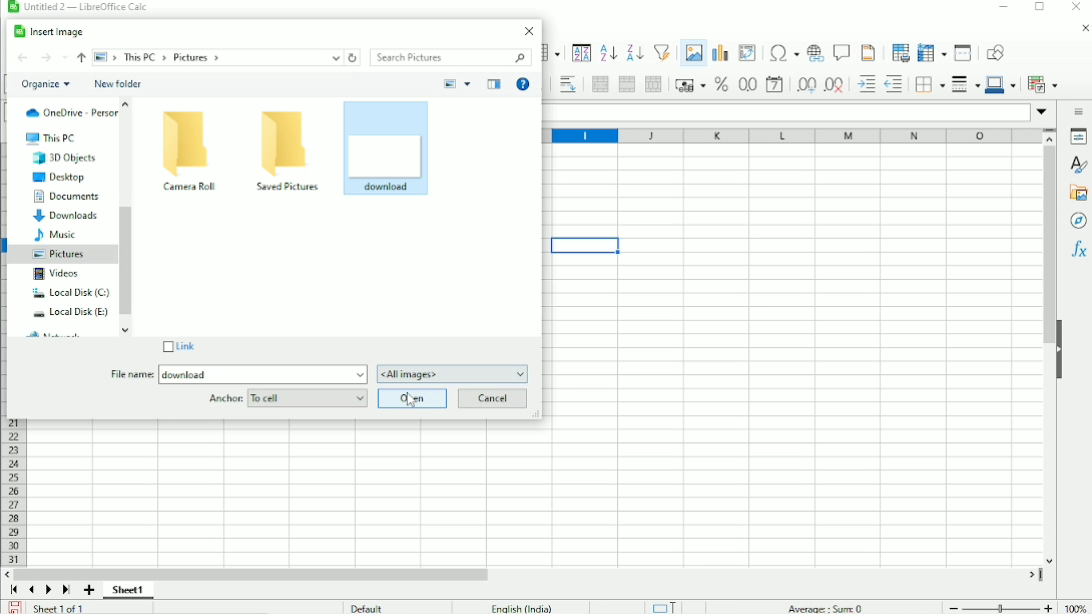 Image resolution: width=1092 pixels, height=614 pixels. What do you see at coordinates (625, 84) in the screenshot?
I see `Merge cells` at bounding box center [625, 84].